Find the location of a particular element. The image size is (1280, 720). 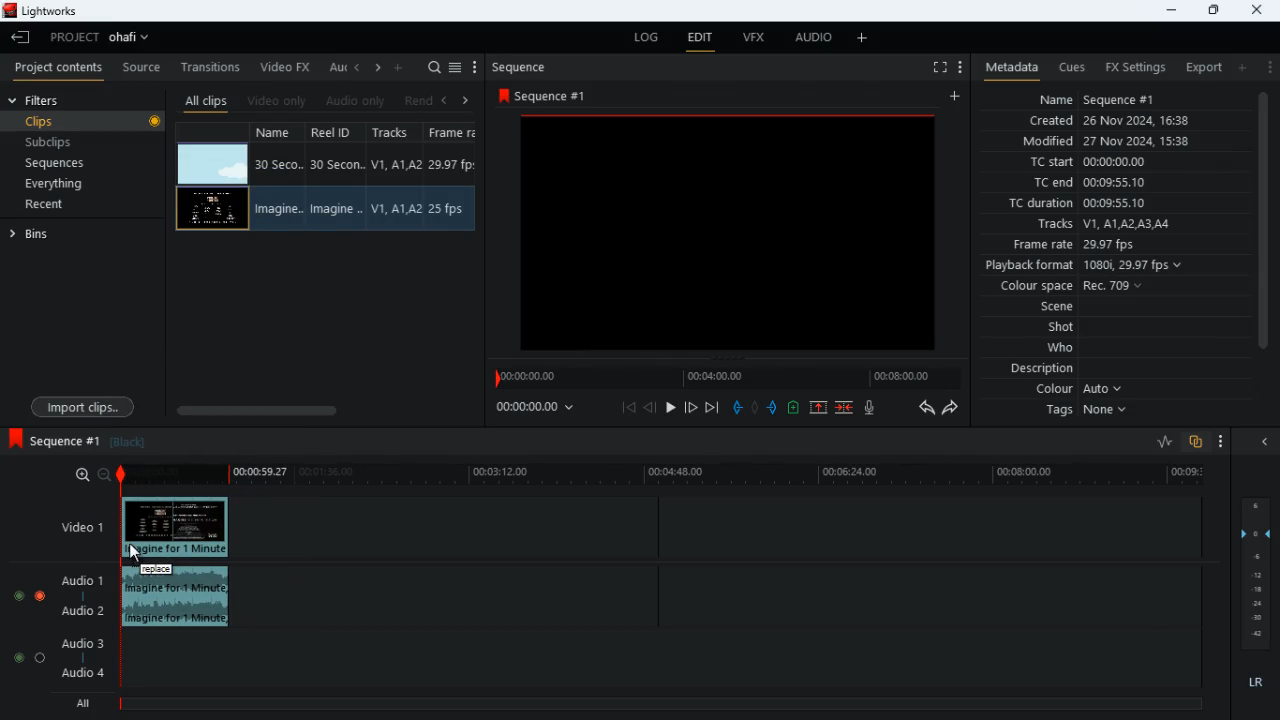

right is located at coordinates (466, 100).